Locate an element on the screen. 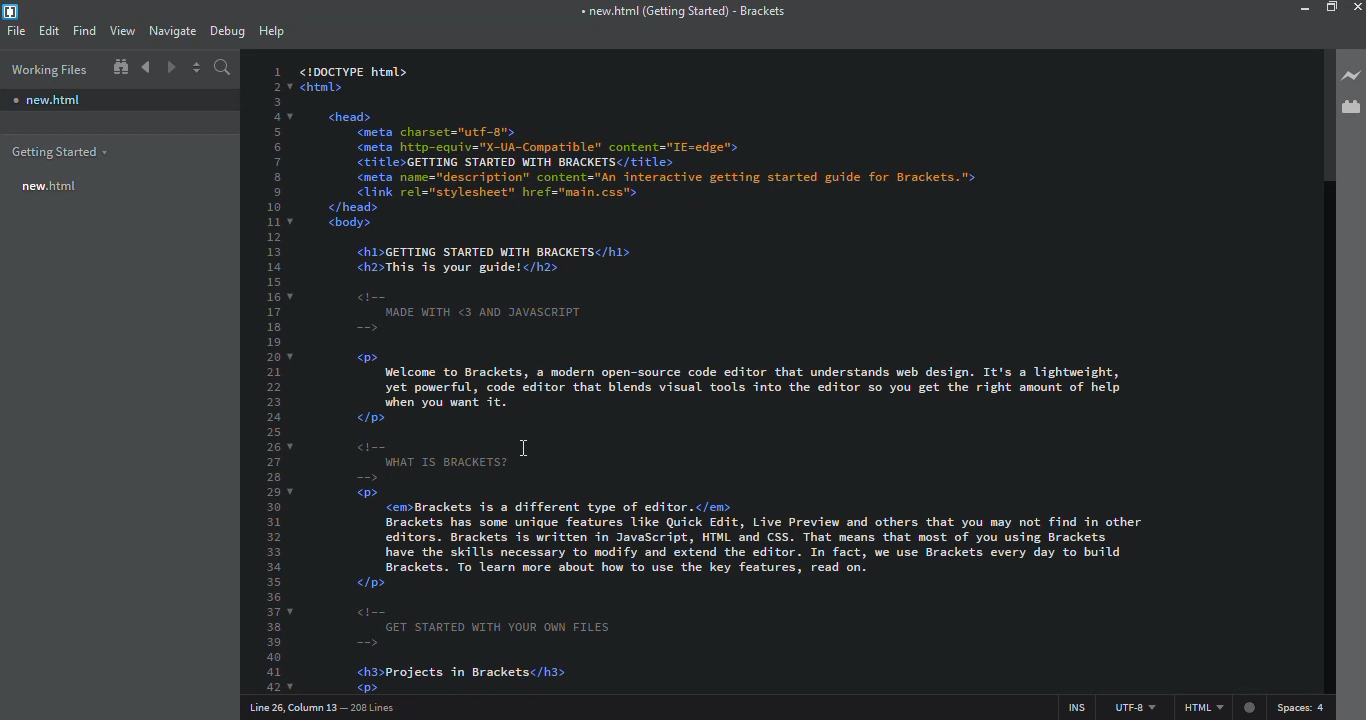  search is located at coordinates (225, 70).